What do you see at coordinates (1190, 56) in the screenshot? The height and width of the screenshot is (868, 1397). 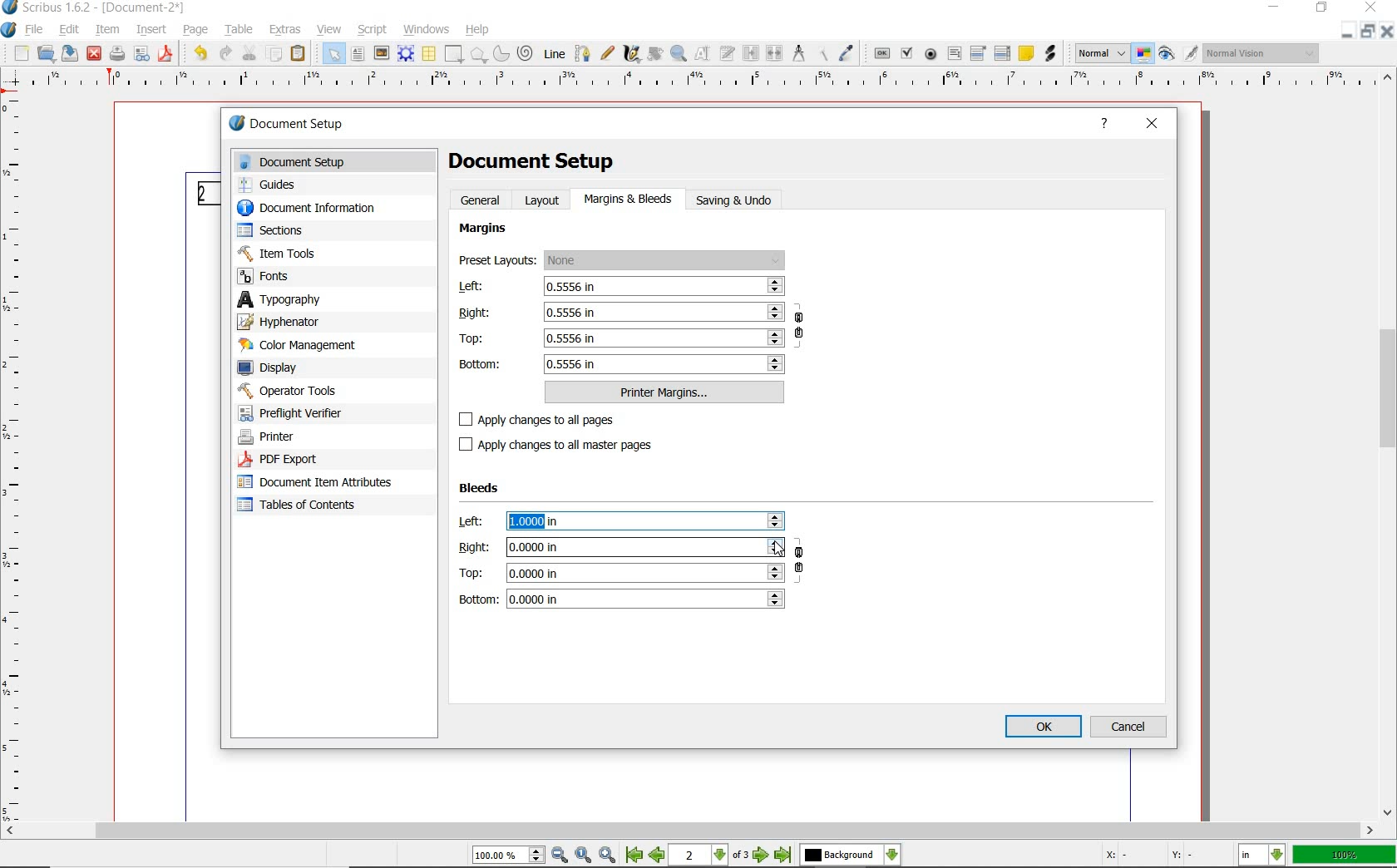 I see `Edit in Preview Mode` at bounding box center [1190, 56].